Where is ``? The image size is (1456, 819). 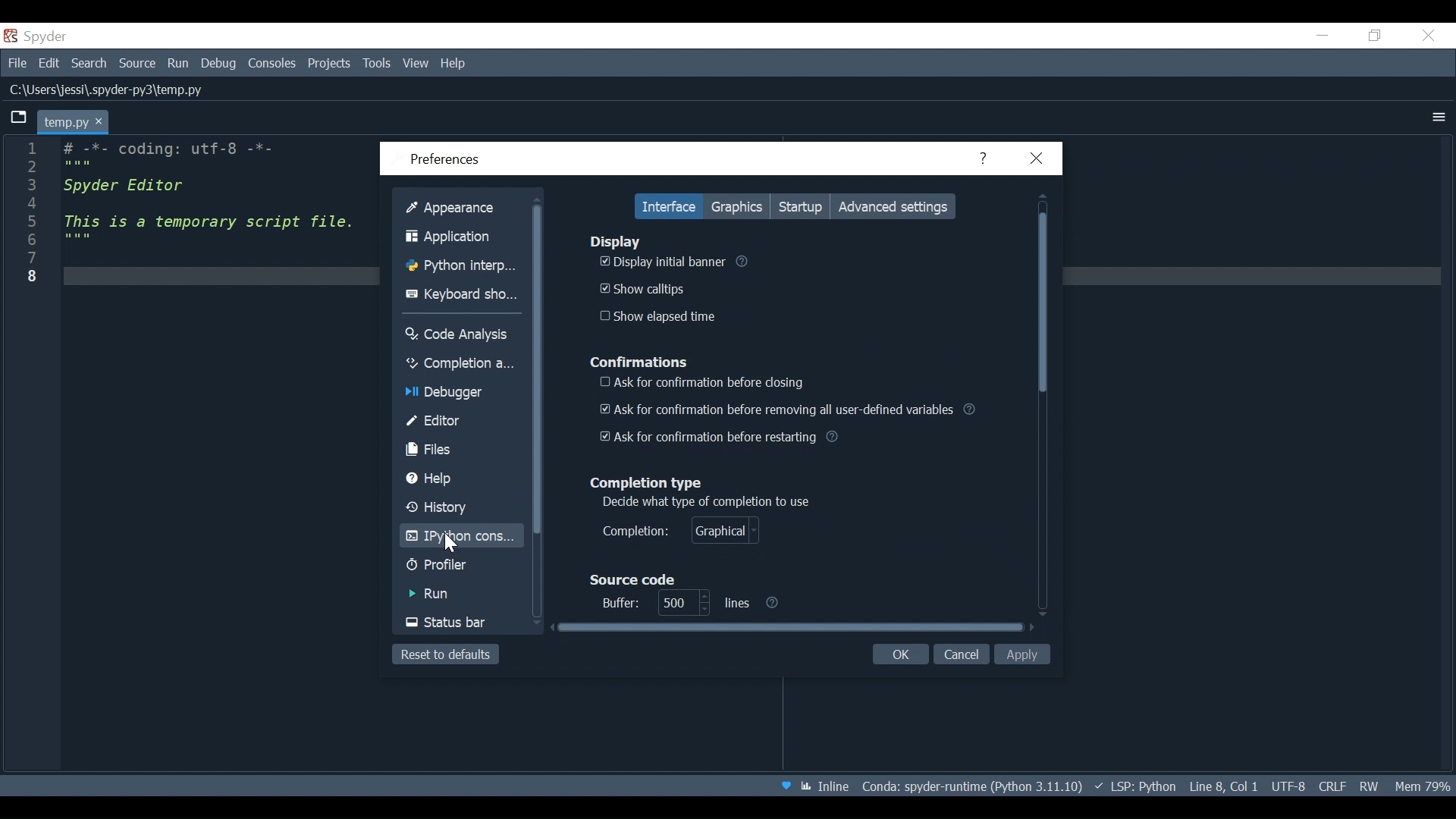
 is located at coordinates (1431, 37).